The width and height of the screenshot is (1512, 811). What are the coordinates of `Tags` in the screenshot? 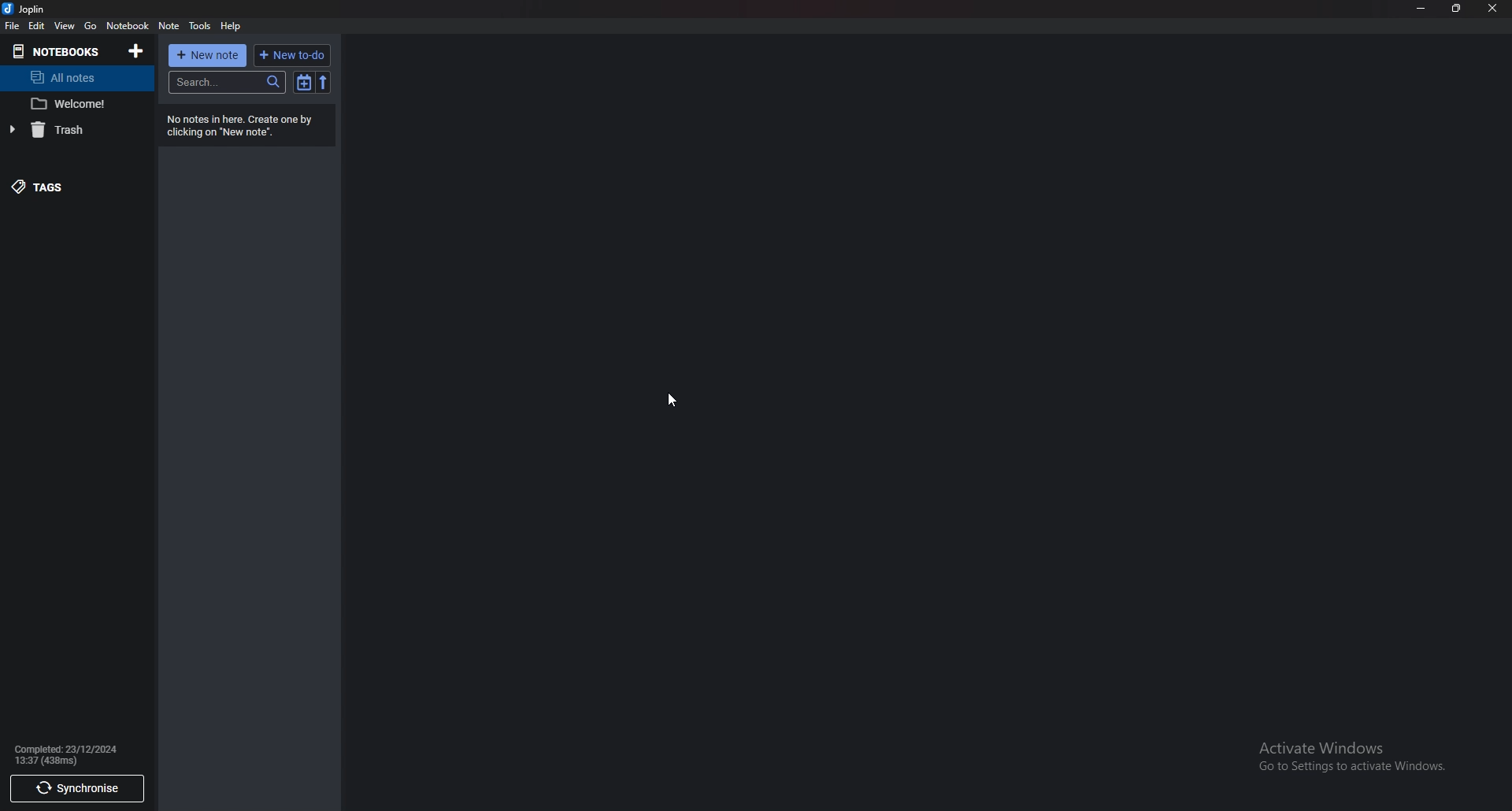 It's located at (61, 188).